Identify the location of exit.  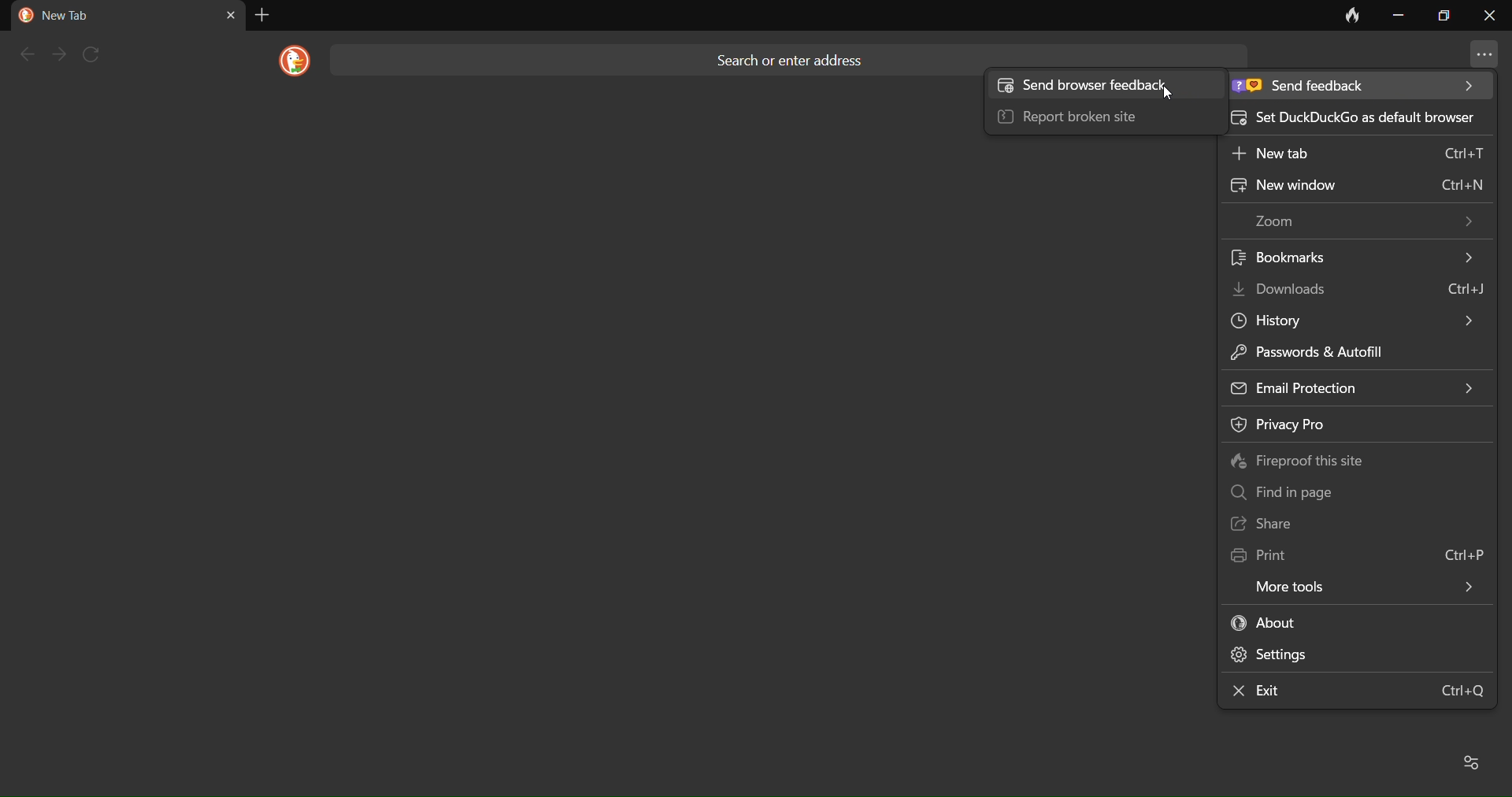
(1353, 691).